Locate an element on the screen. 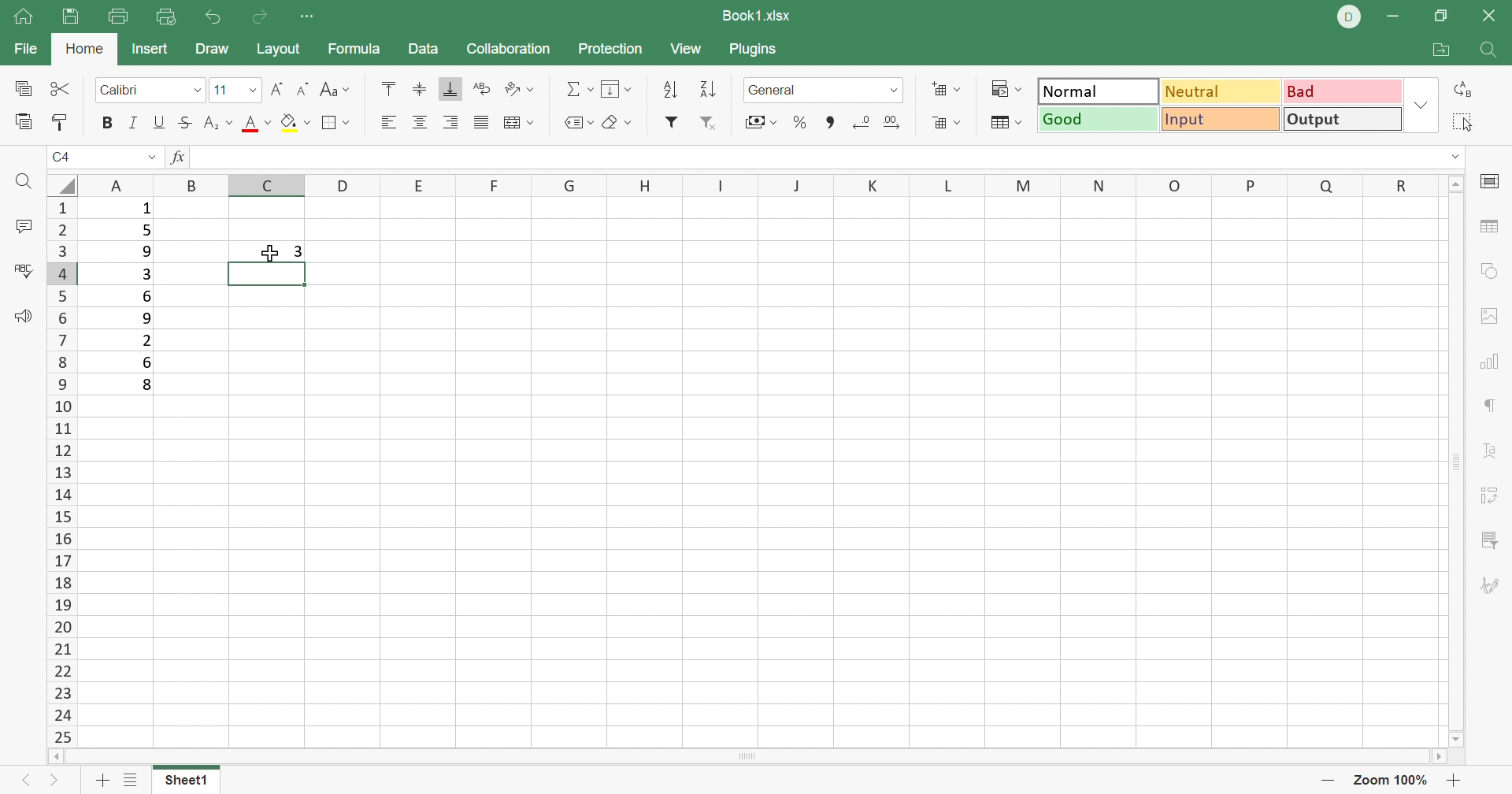 The width and height of the screenshot is (1512, 794). Sort descending is located at coordinates (707, 88).